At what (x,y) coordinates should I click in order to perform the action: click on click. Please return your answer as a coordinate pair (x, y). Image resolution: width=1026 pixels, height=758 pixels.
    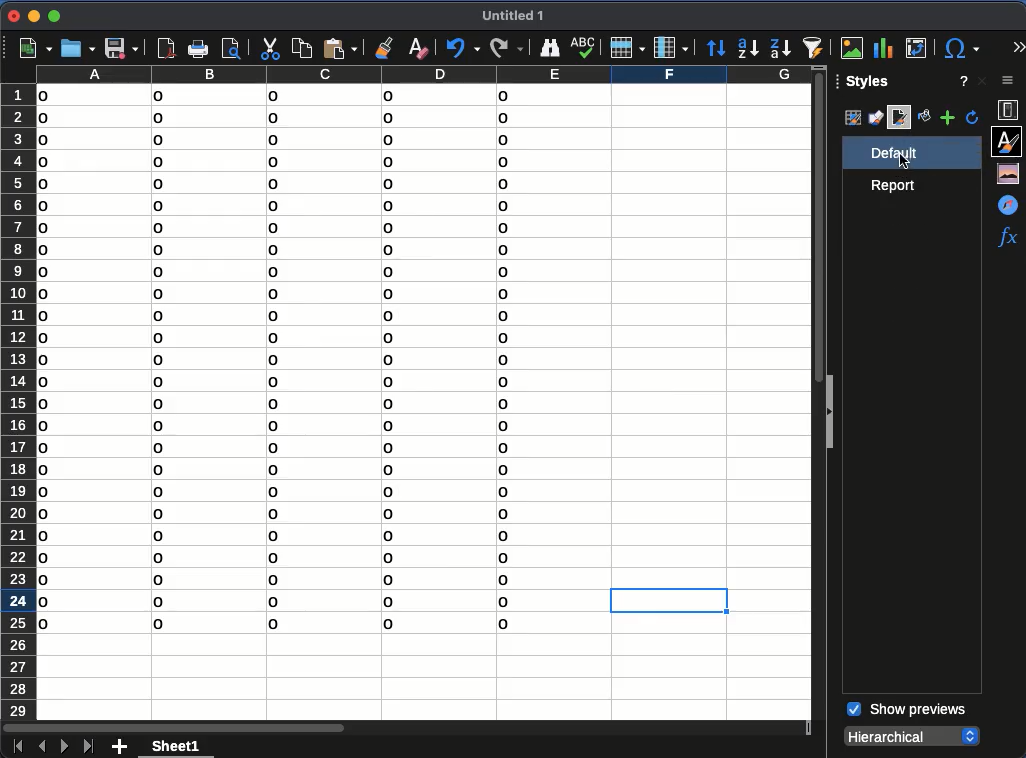
    Looking at the image, I should click on (906, 163).